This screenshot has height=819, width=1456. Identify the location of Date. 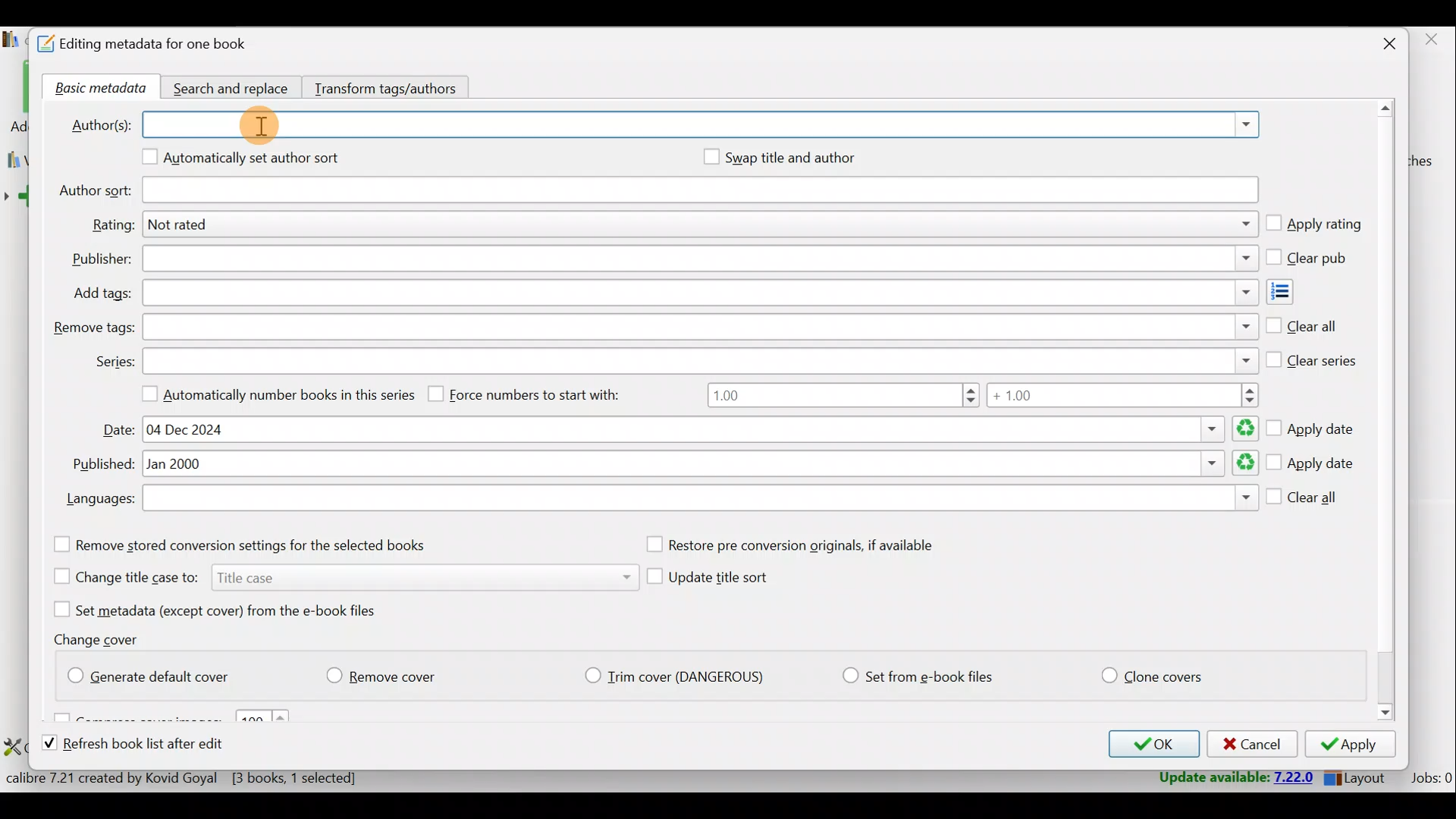
(698, 429).